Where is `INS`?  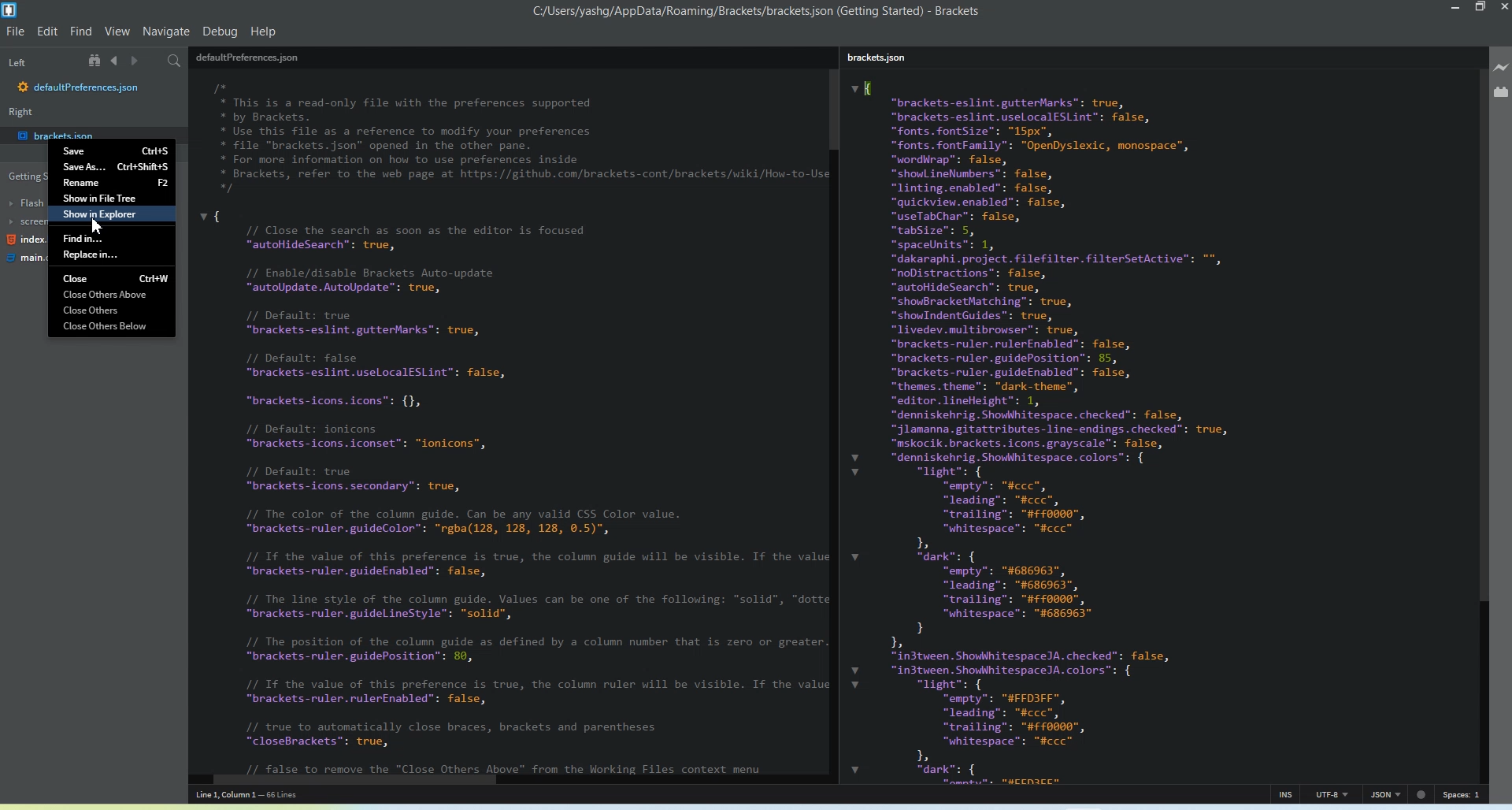
INS is located at coordinates (1286, 793).